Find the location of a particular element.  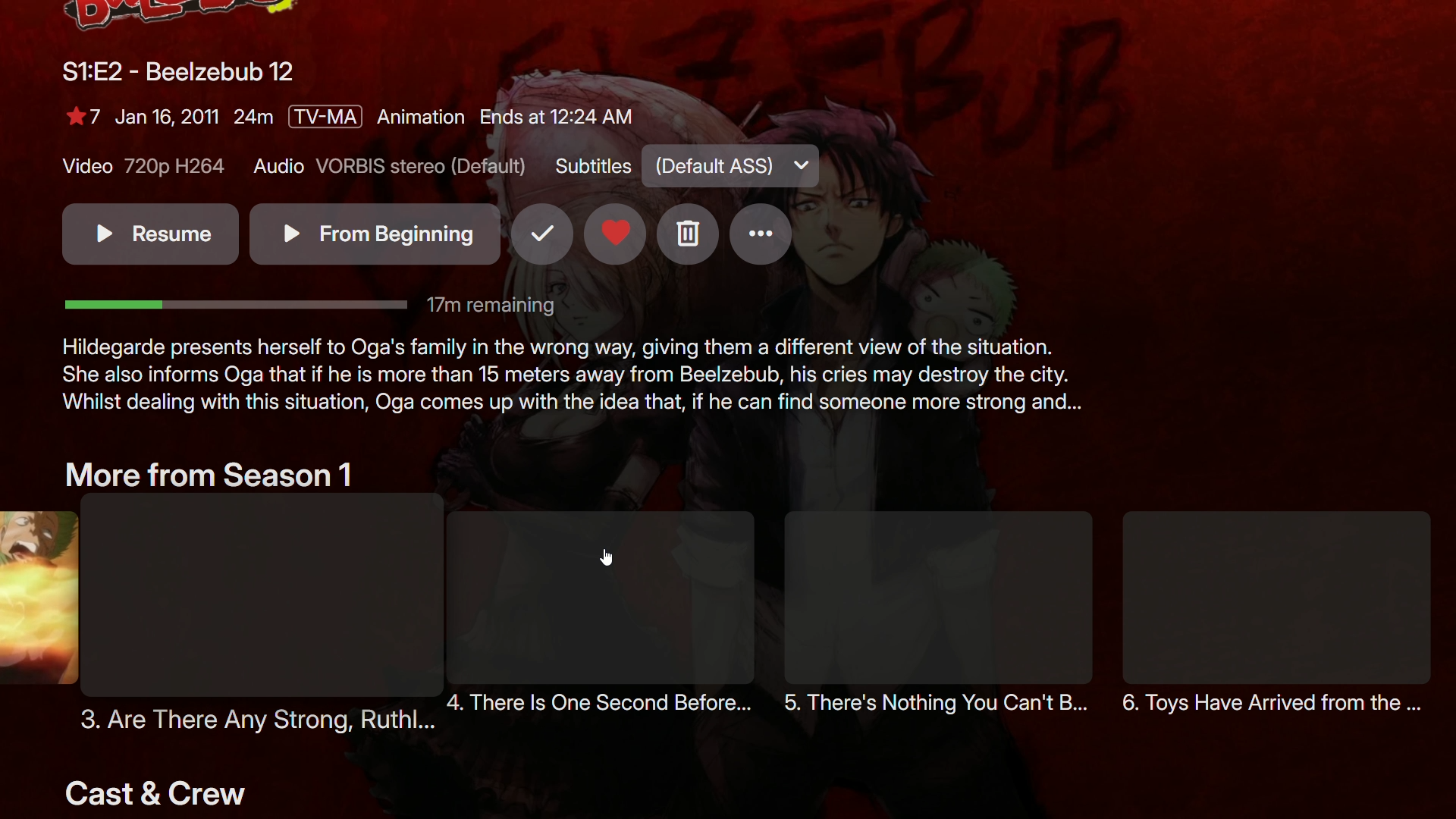

3. Are there any strong is located at coordinates (254, 620).